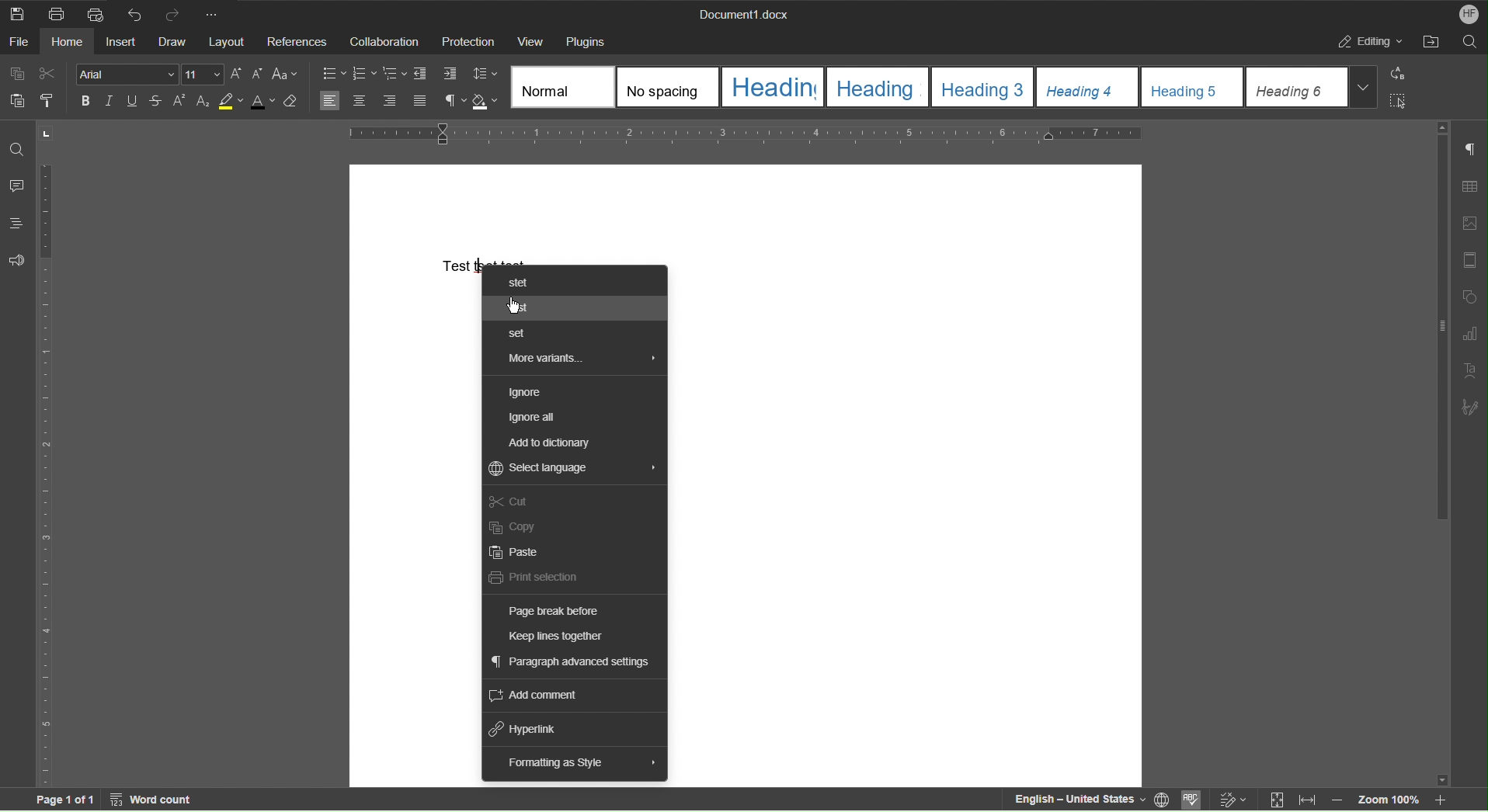 The height and width of the screenshot is (812, 1488). Describe the element at coordinates (1469, 188) in the screenshot. I see `Table` at that location.